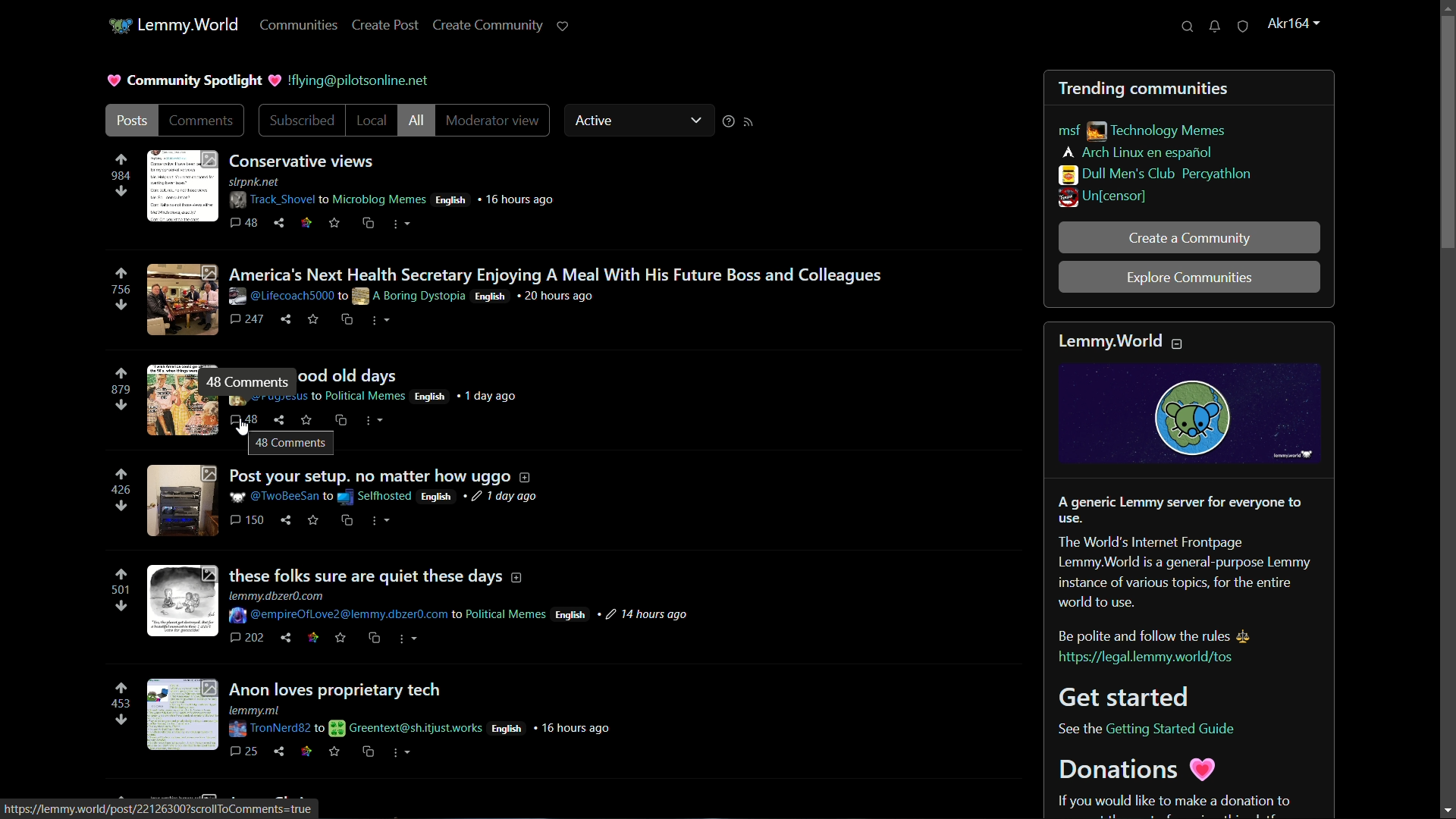 The height and width of the screenshot is (819, 1456). I want to click on 48 comments pop up, so click(249, 381).